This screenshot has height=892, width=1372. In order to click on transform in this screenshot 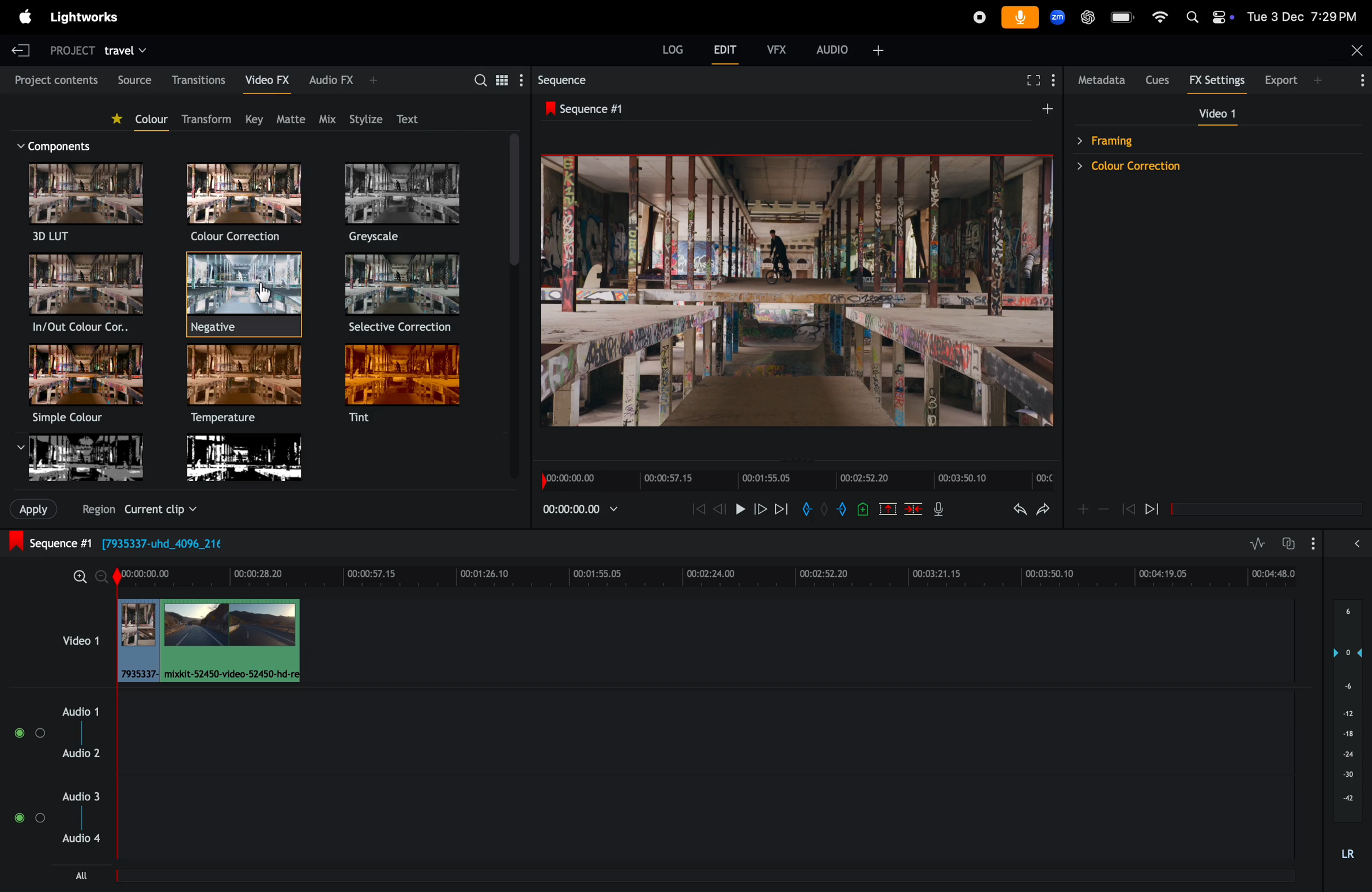, I will do `click(210, 117)`.